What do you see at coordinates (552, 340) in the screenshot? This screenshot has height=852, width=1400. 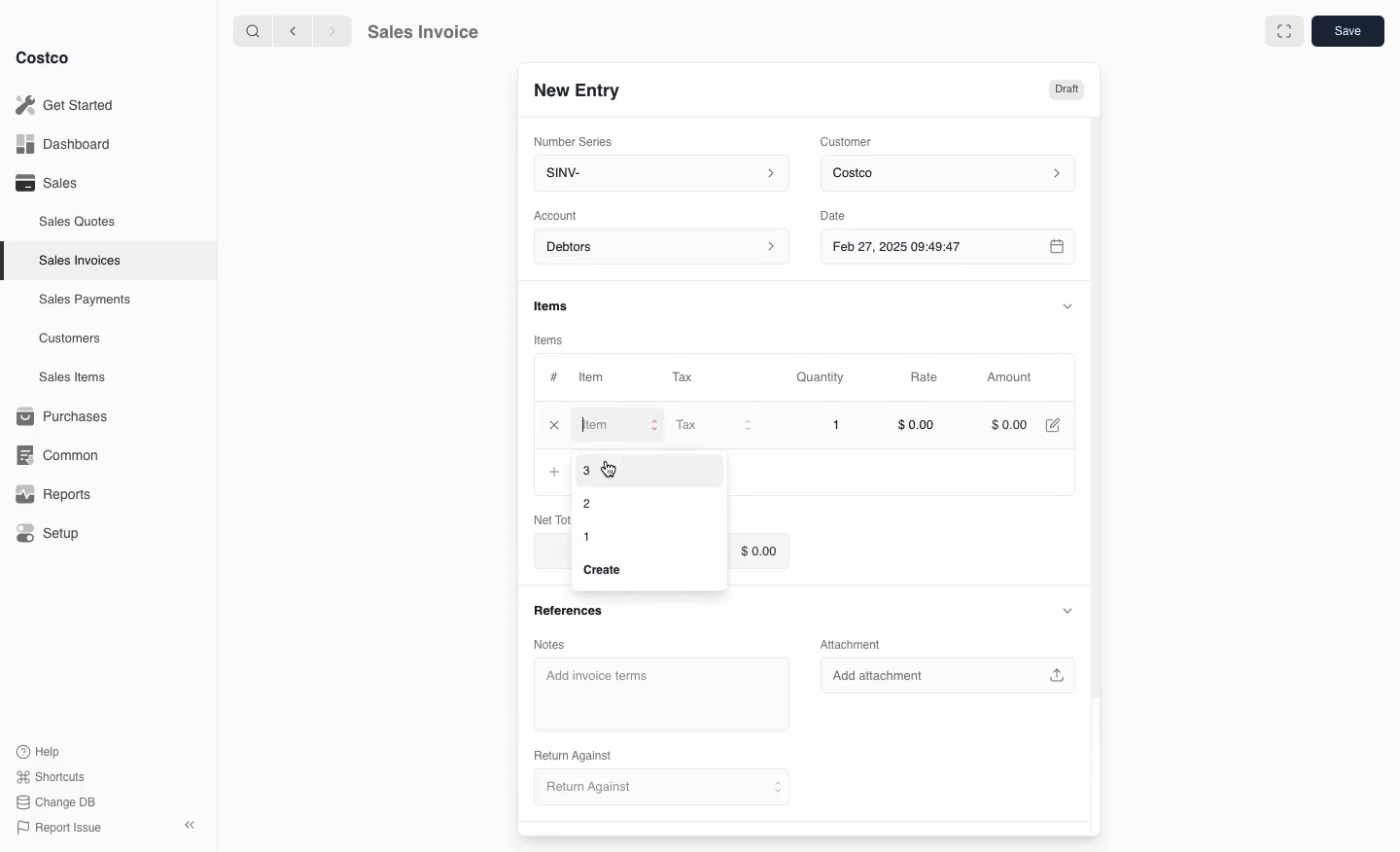 I see `Items` at bounding box center [552, 340].